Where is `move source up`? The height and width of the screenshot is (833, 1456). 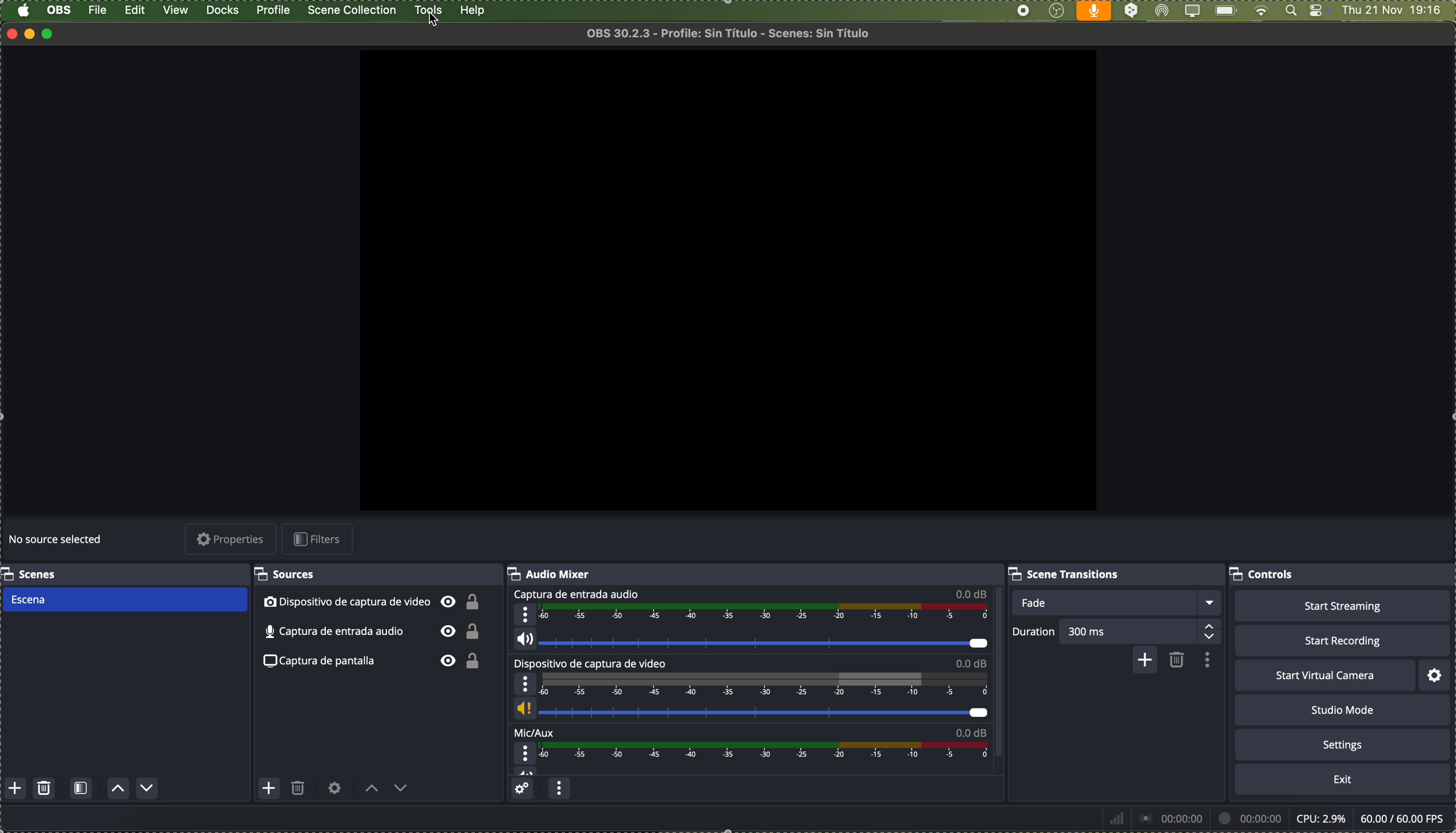 move source up is located at coordinates (372, 789).